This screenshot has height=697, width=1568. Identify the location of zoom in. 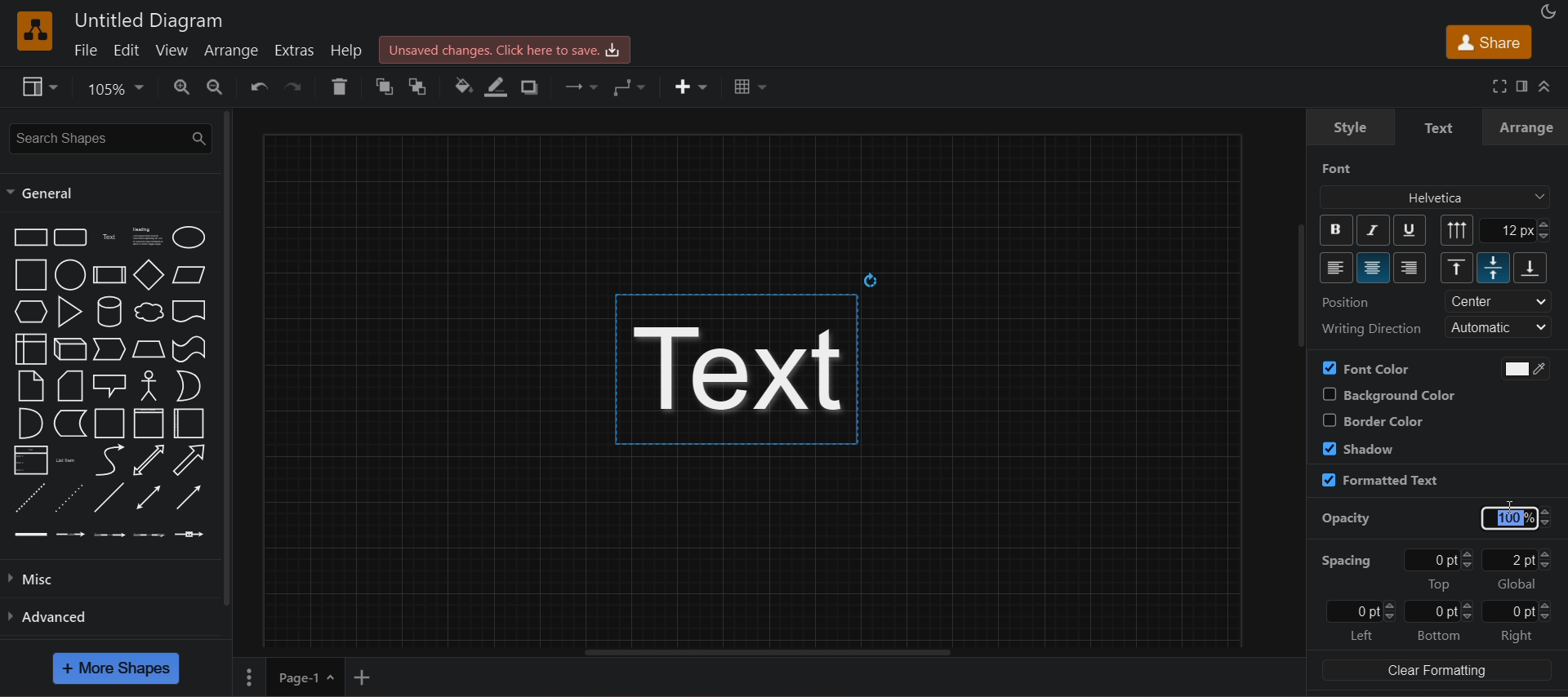
(182, 88).